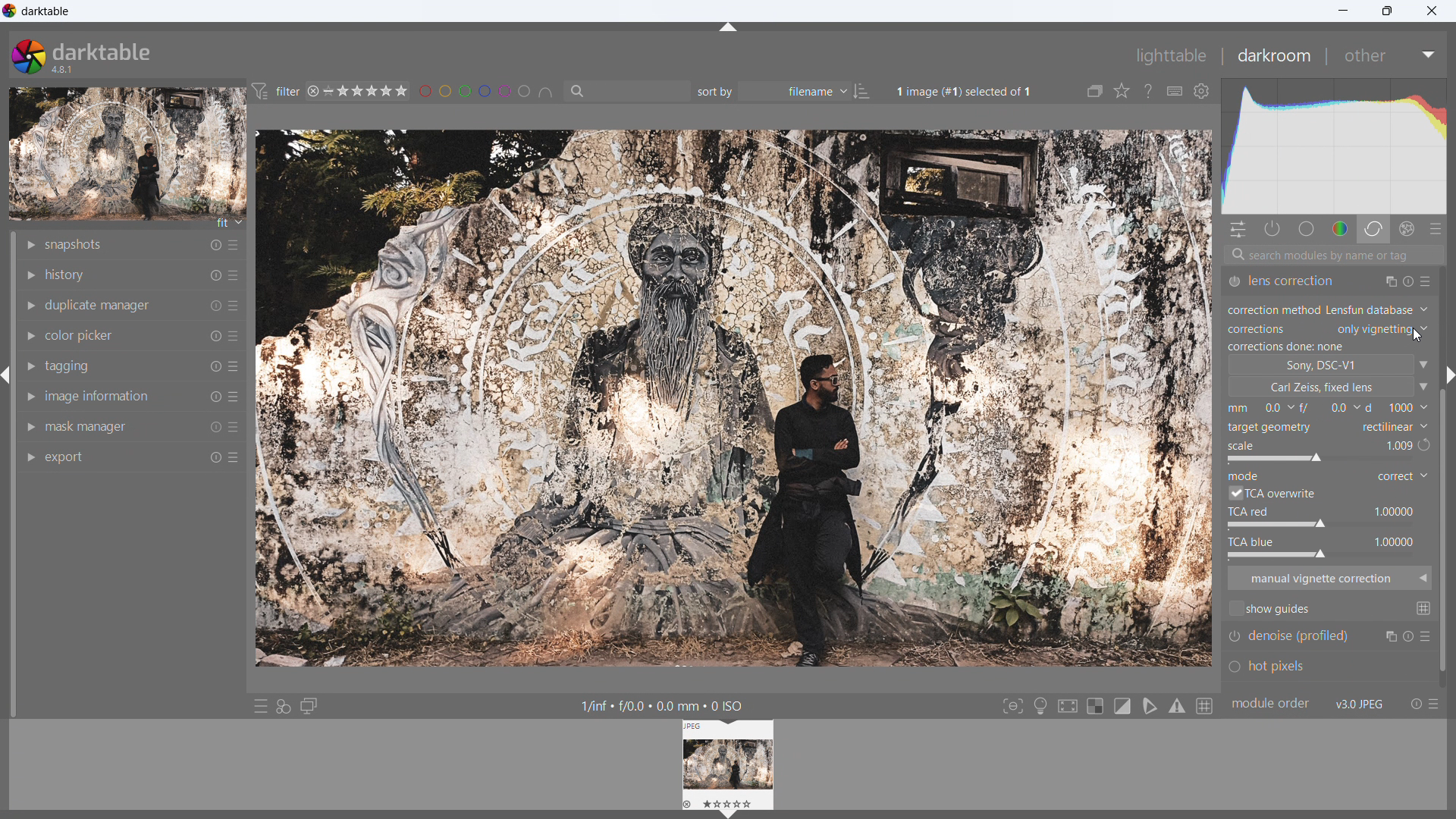 The height and width of the screenshot is (819, 1456). Describe the element at coordinates (100, 306) in the screenshot. I see `duplicate manager` at that location.